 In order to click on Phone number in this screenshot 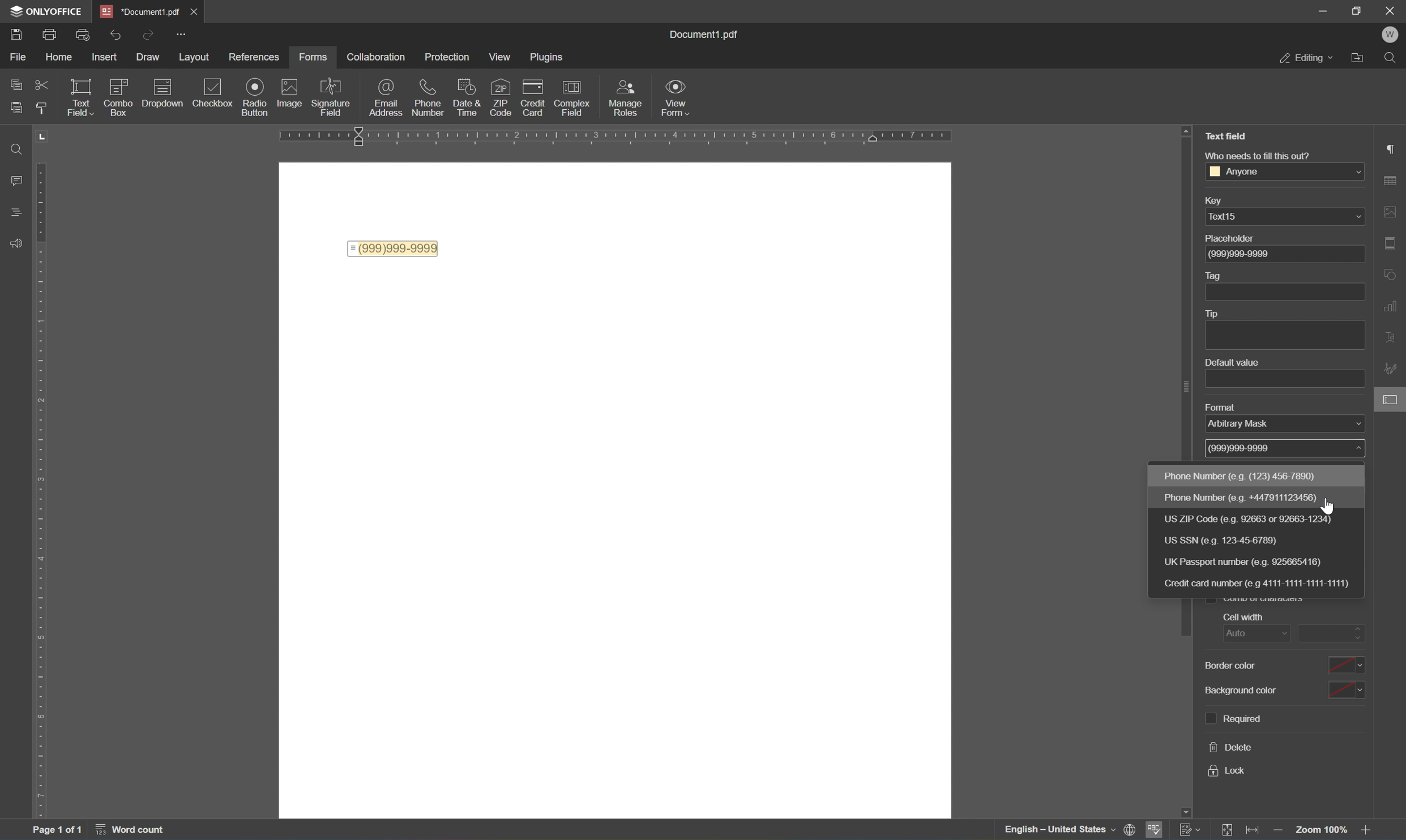, I will do `click(1245, 476)`.